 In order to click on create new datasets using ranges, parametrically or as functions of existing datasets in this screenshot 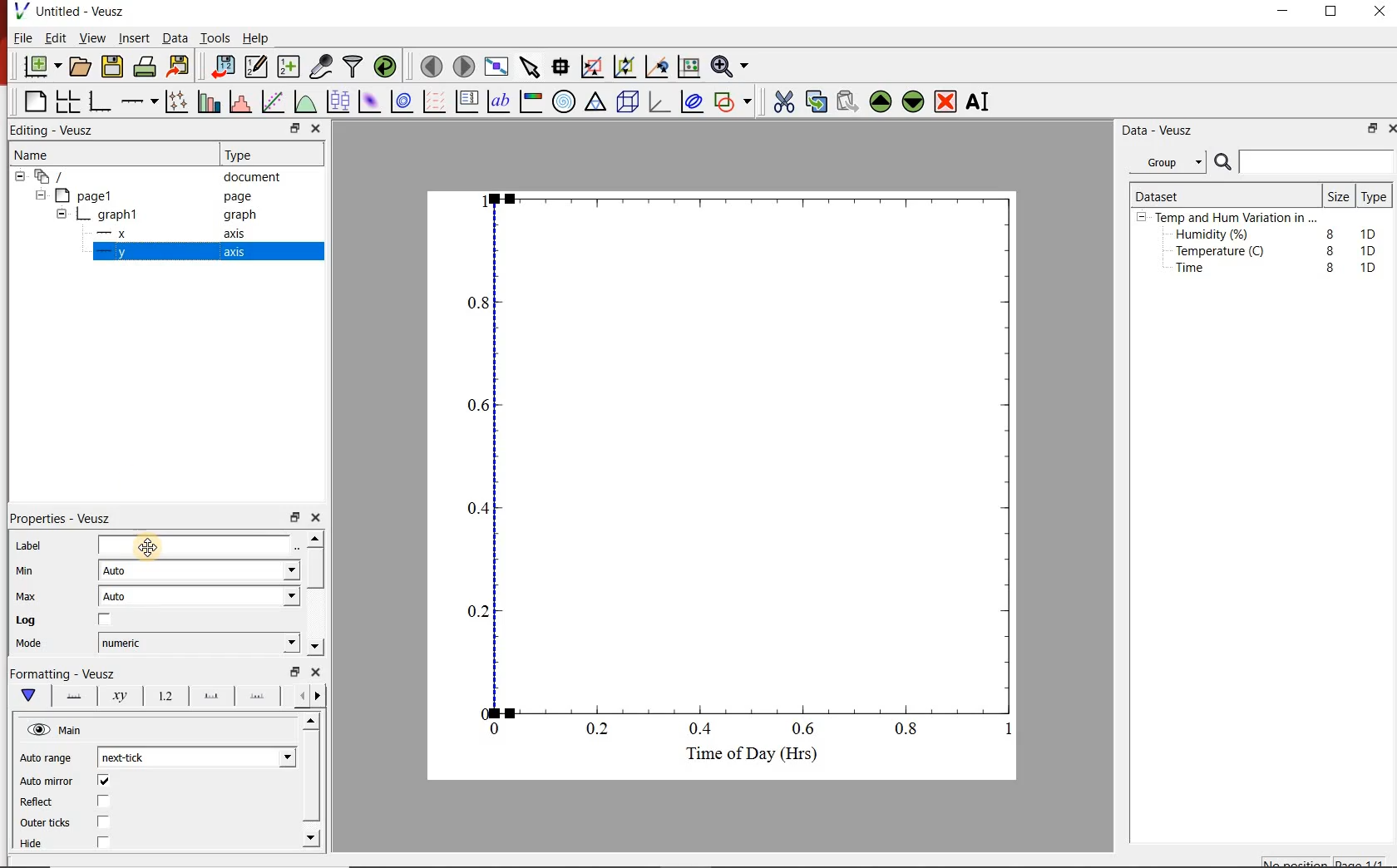, I will do `click(289, 67)`.